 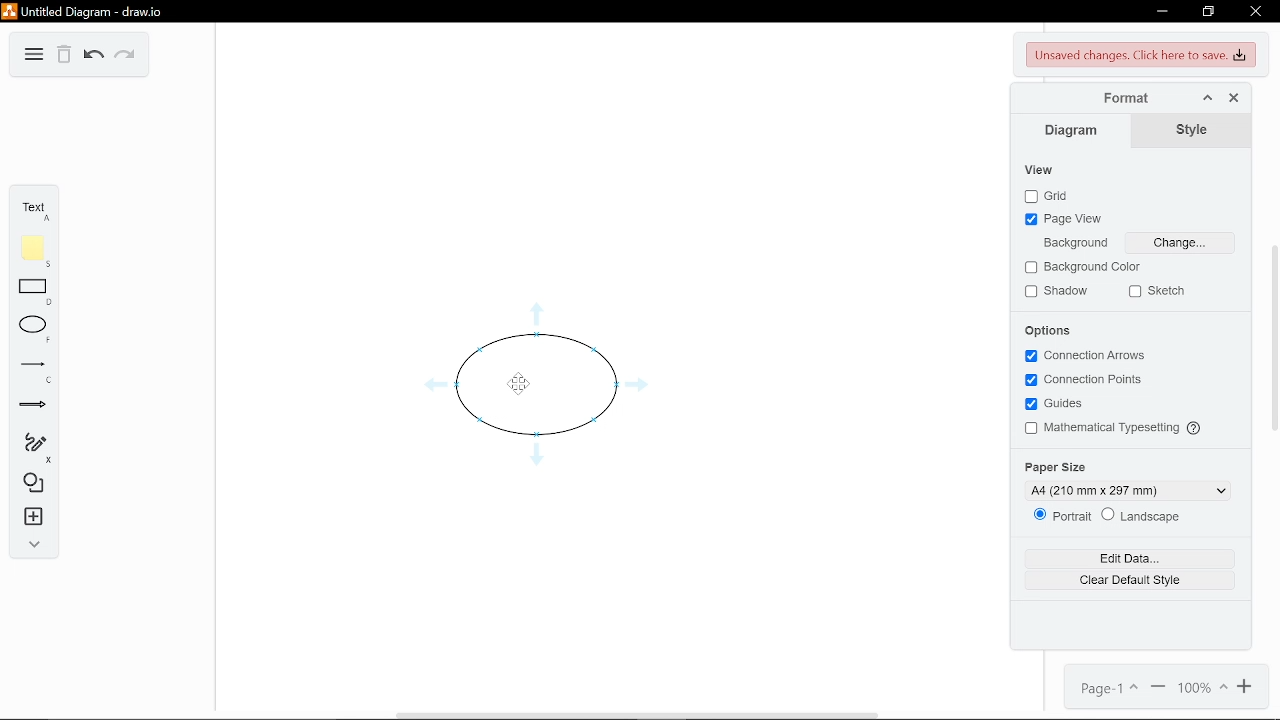 I want to click on Background, so click(x=1078, y=242).